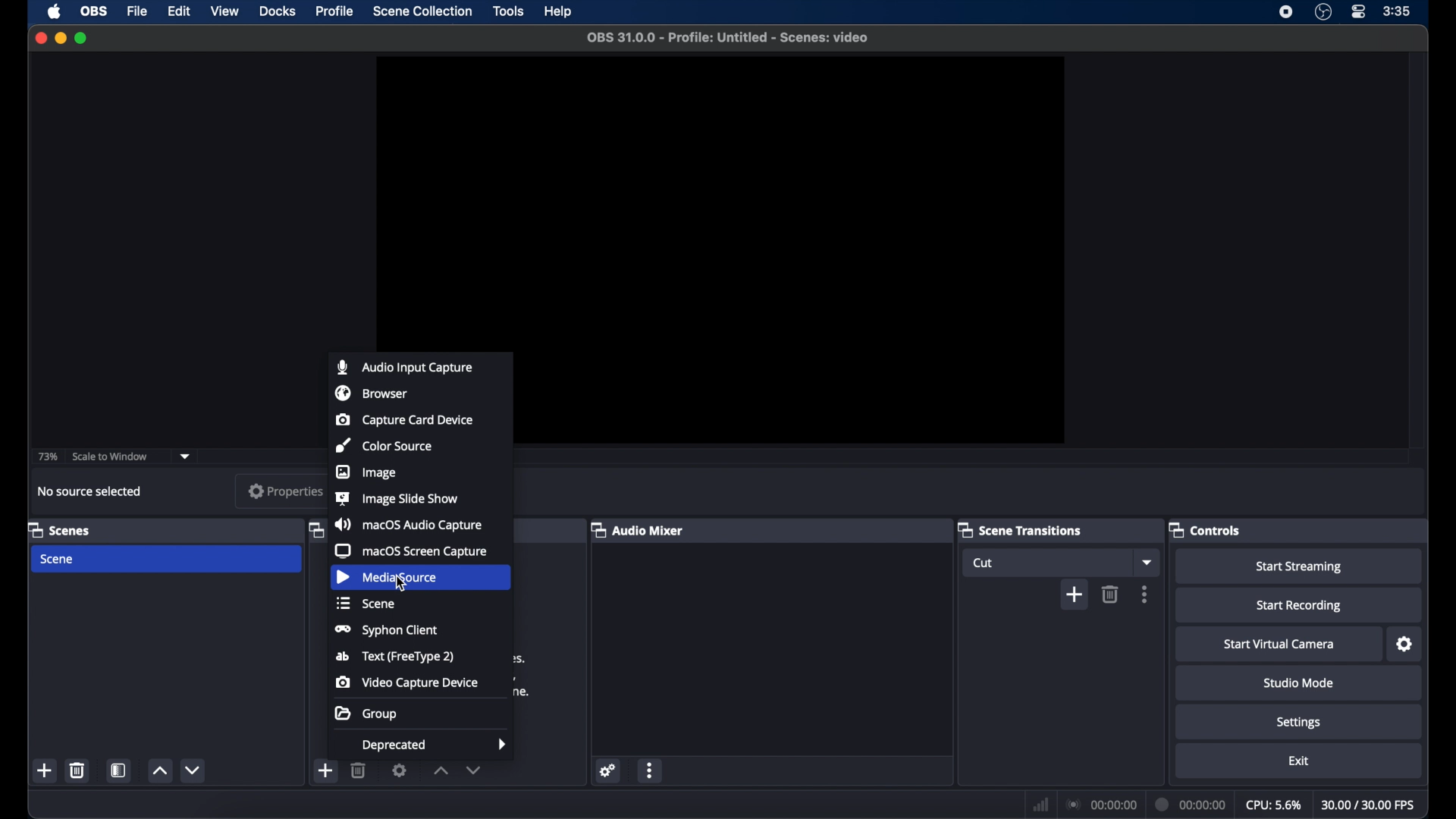  I want to click on cursor, so click(402, 582).